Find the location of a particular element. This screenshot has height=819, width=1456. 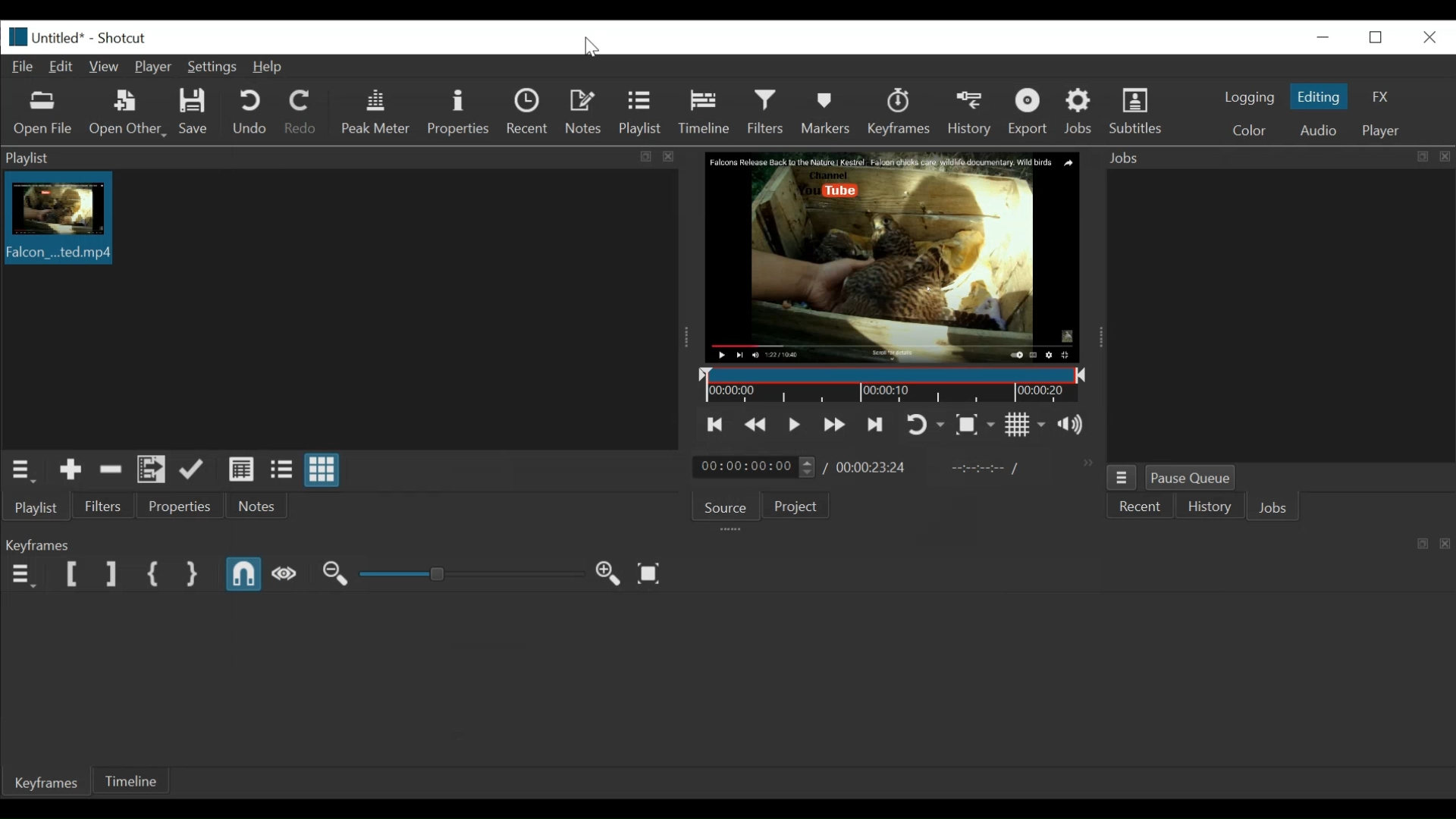

Properties is located at coordinates (458, 111).